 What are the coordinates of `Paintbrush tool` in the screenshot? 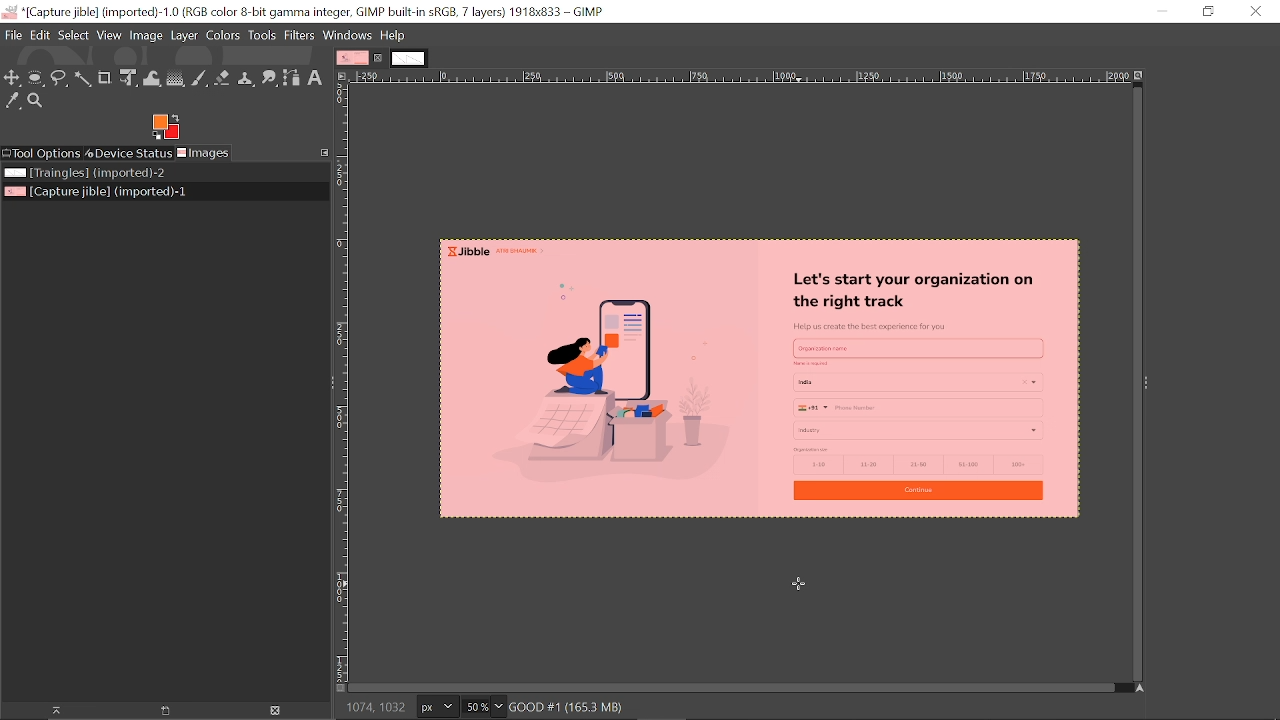 It's located at (199, 79).